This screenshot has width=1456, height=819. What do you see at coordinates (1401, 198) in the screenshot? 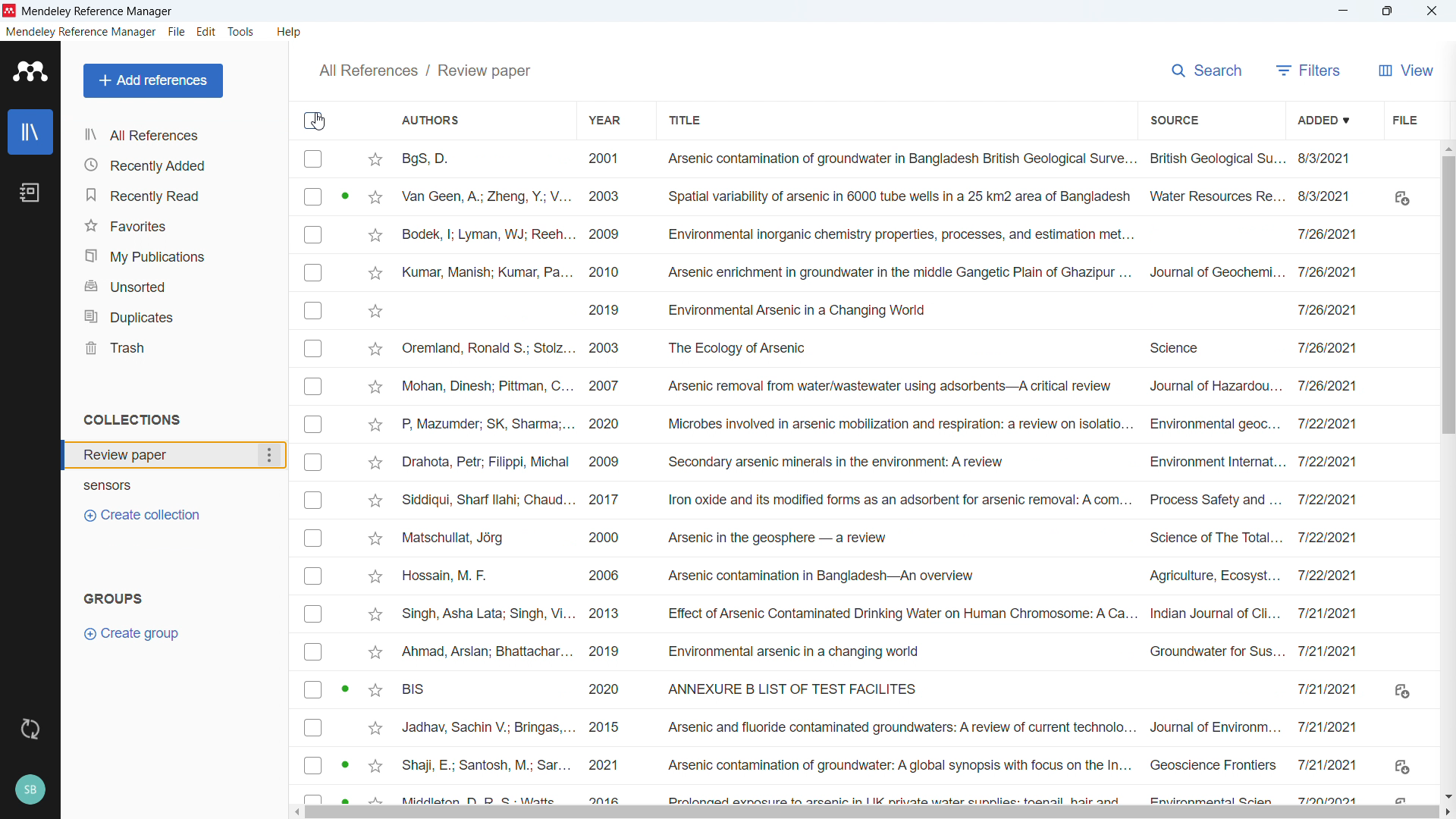
I see `Download respective publication` at bounding box center [1401, 198].